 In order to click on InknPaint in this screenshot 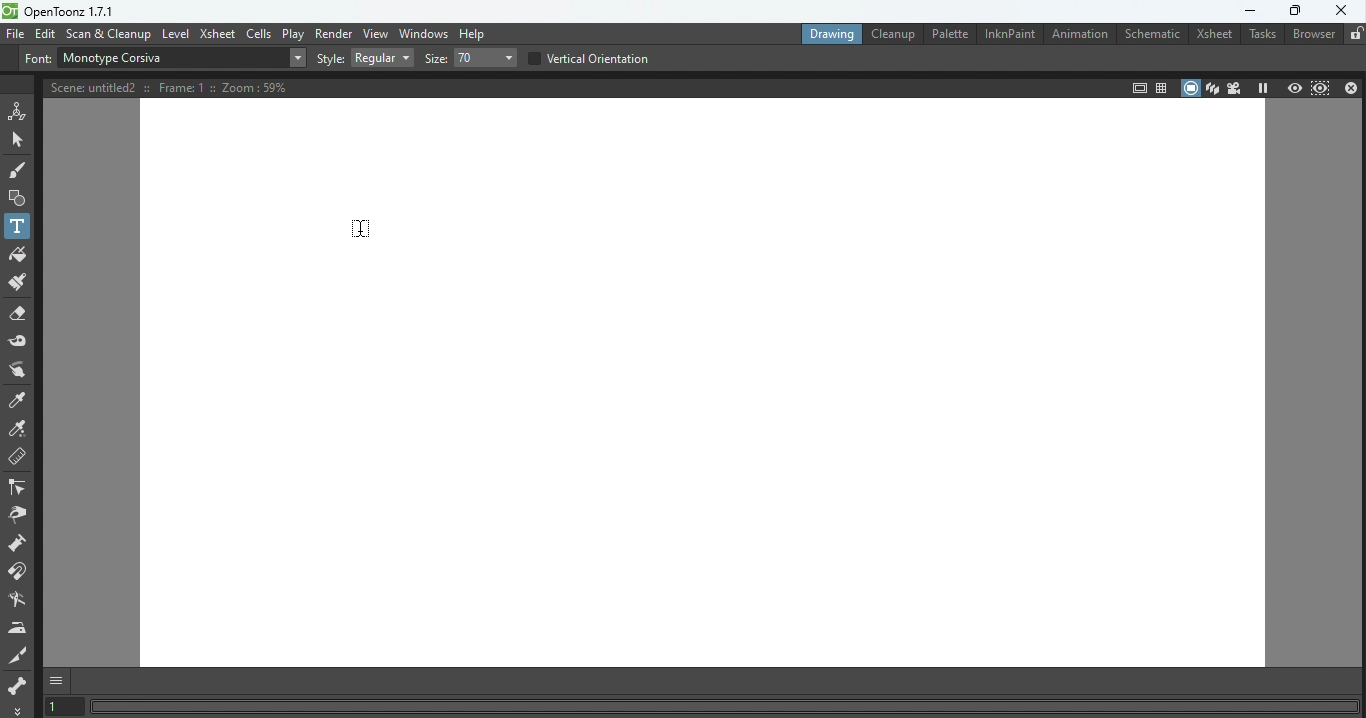, I will do `click(1012, 35)`.